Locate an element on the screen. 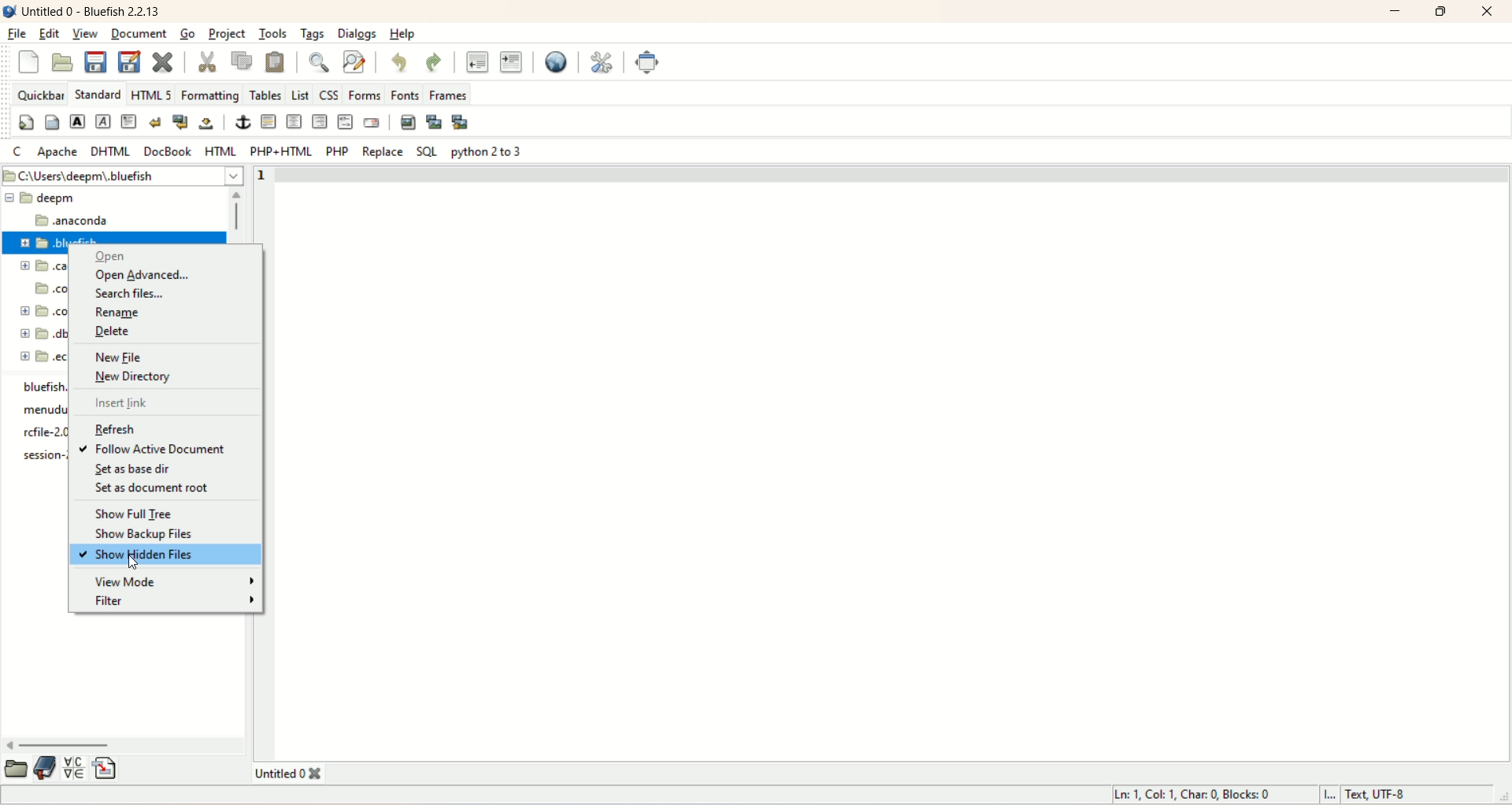 This screenshot has width=1512, height=805. List is located at coordinates (300, 95).